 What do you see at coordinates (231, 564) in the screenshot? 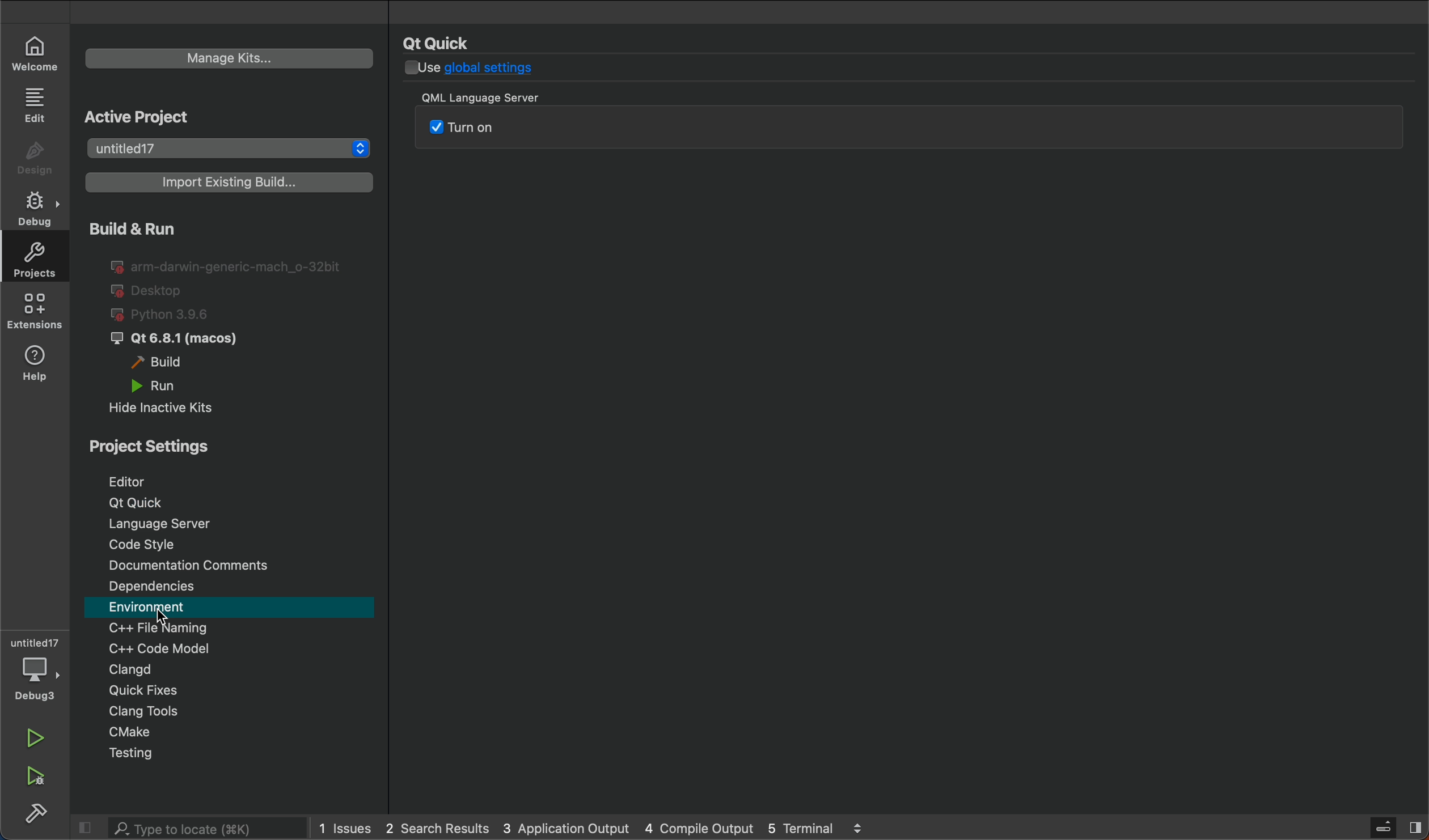
I see `comments` at bounding box center [231, 564].